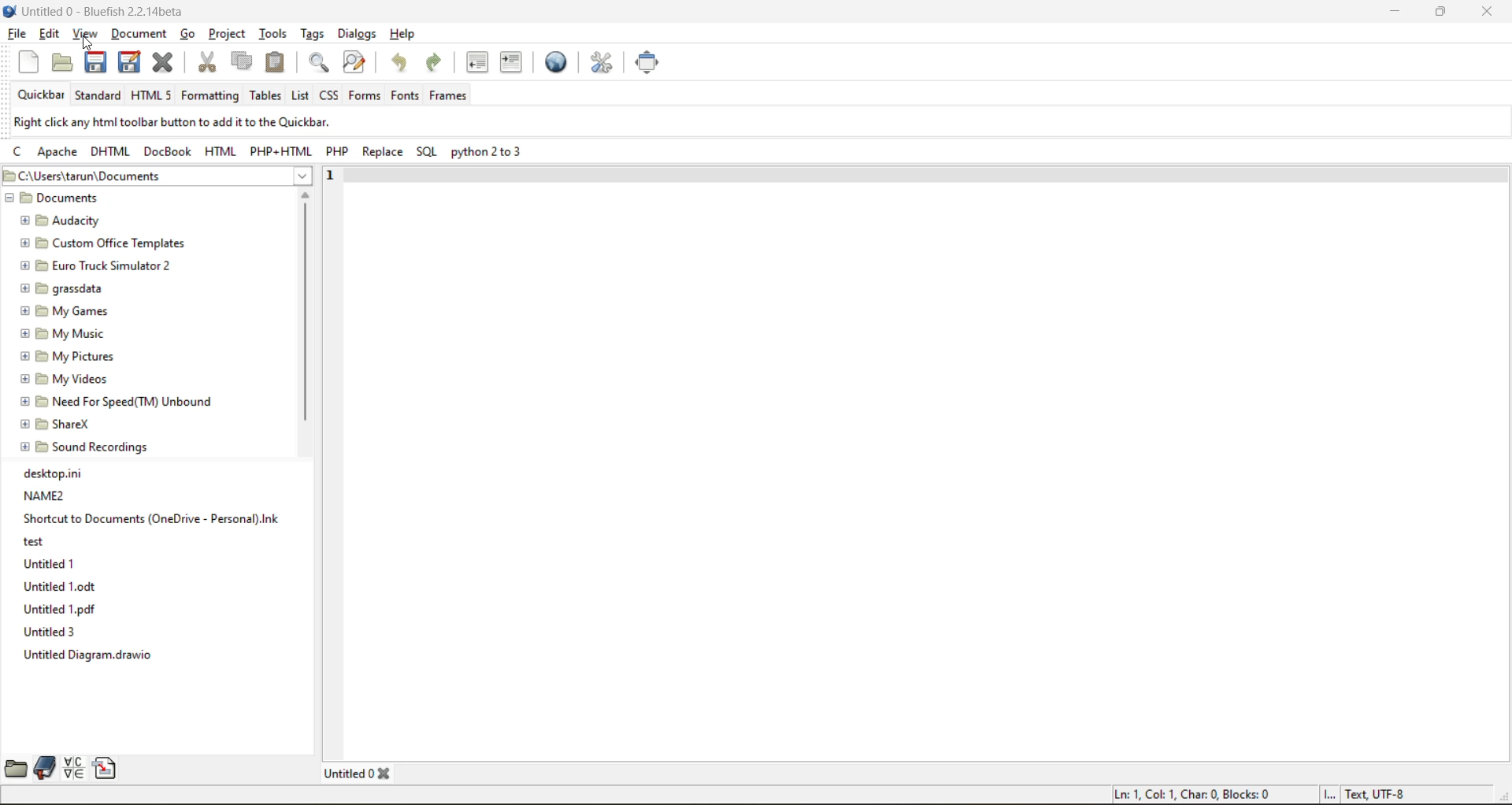 The image size is (1512, 805). Describe the element at coordinates (452, 93) in the screenshot. I see `frames` at that location.